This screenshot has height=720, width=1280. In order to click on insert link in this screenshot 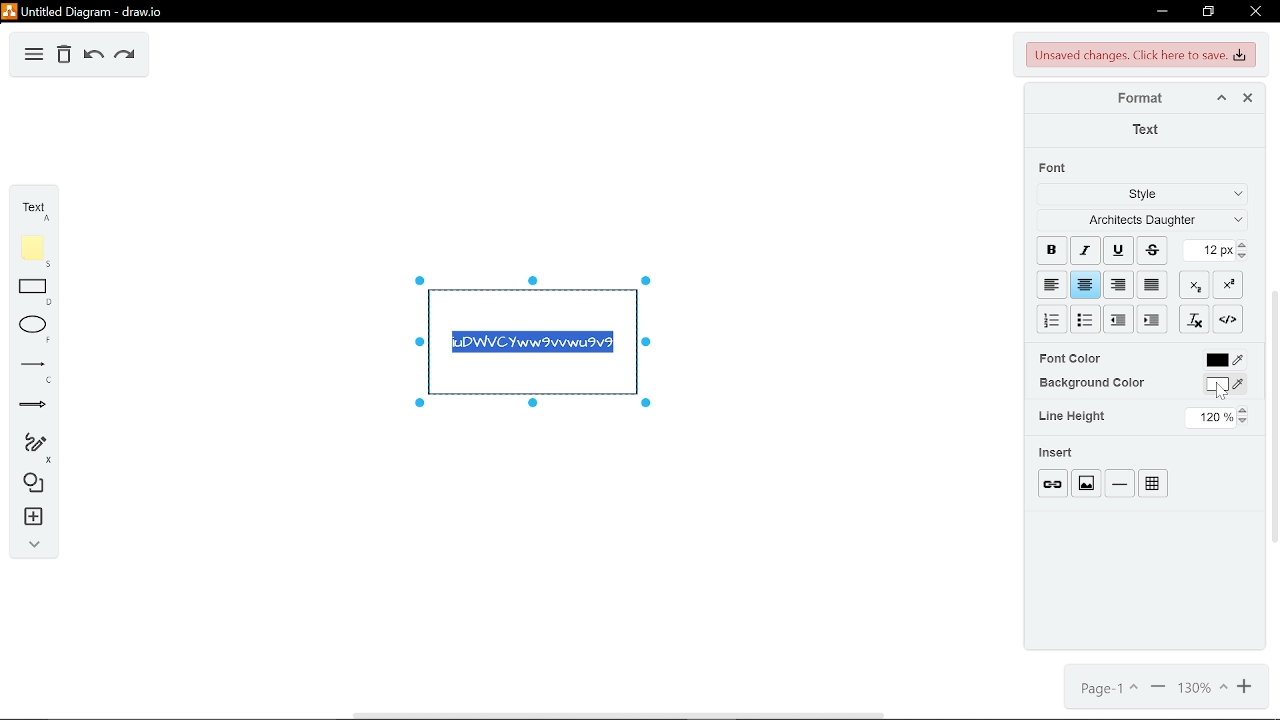, I will do `click(1053, 483)`.